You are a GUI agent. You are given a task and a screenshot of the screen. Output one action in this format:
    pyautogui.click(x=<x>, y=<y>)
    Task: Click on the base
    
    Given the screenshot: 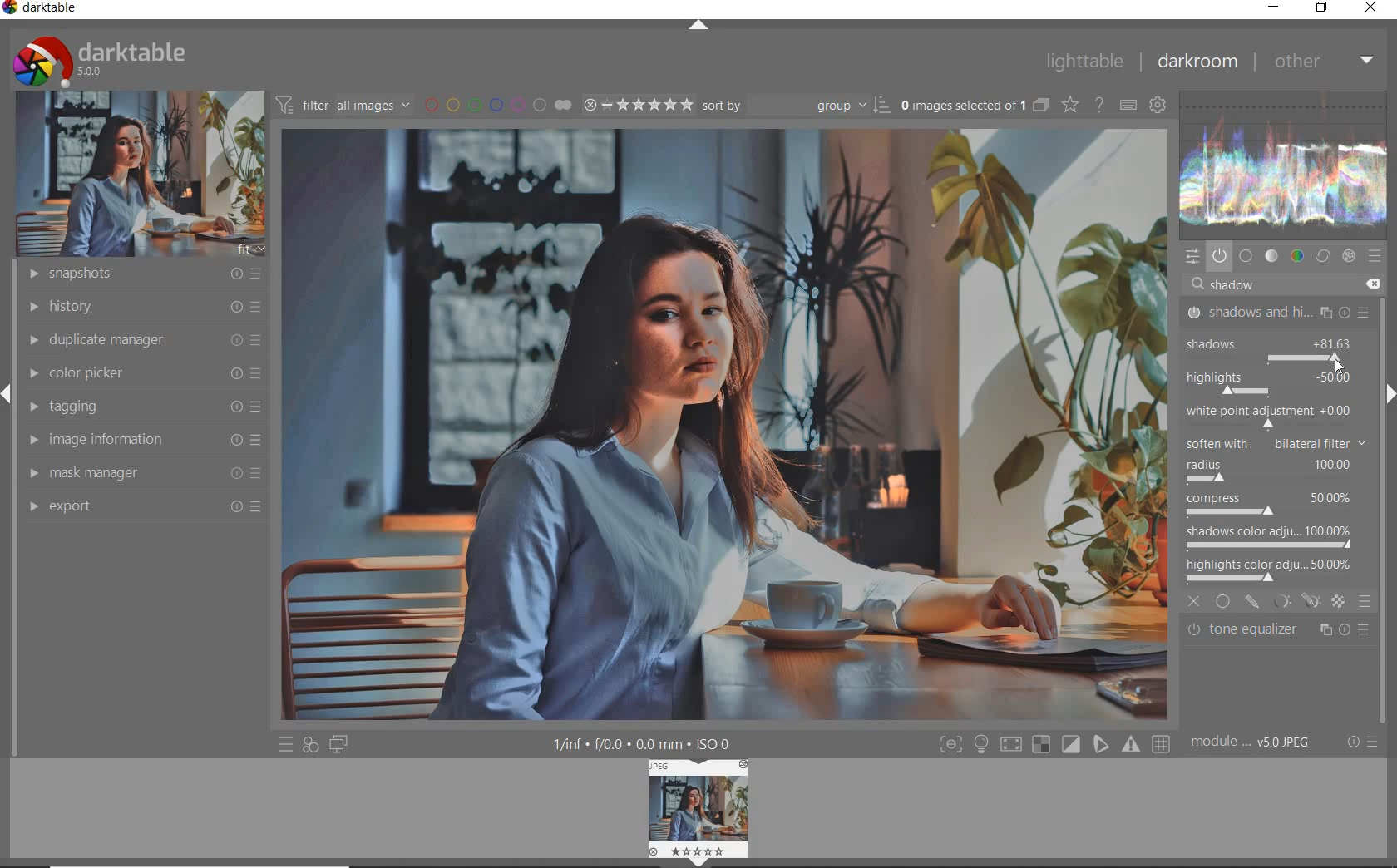 What is the action you would take?
    pyautogui.click(x=1246, y=255)
    